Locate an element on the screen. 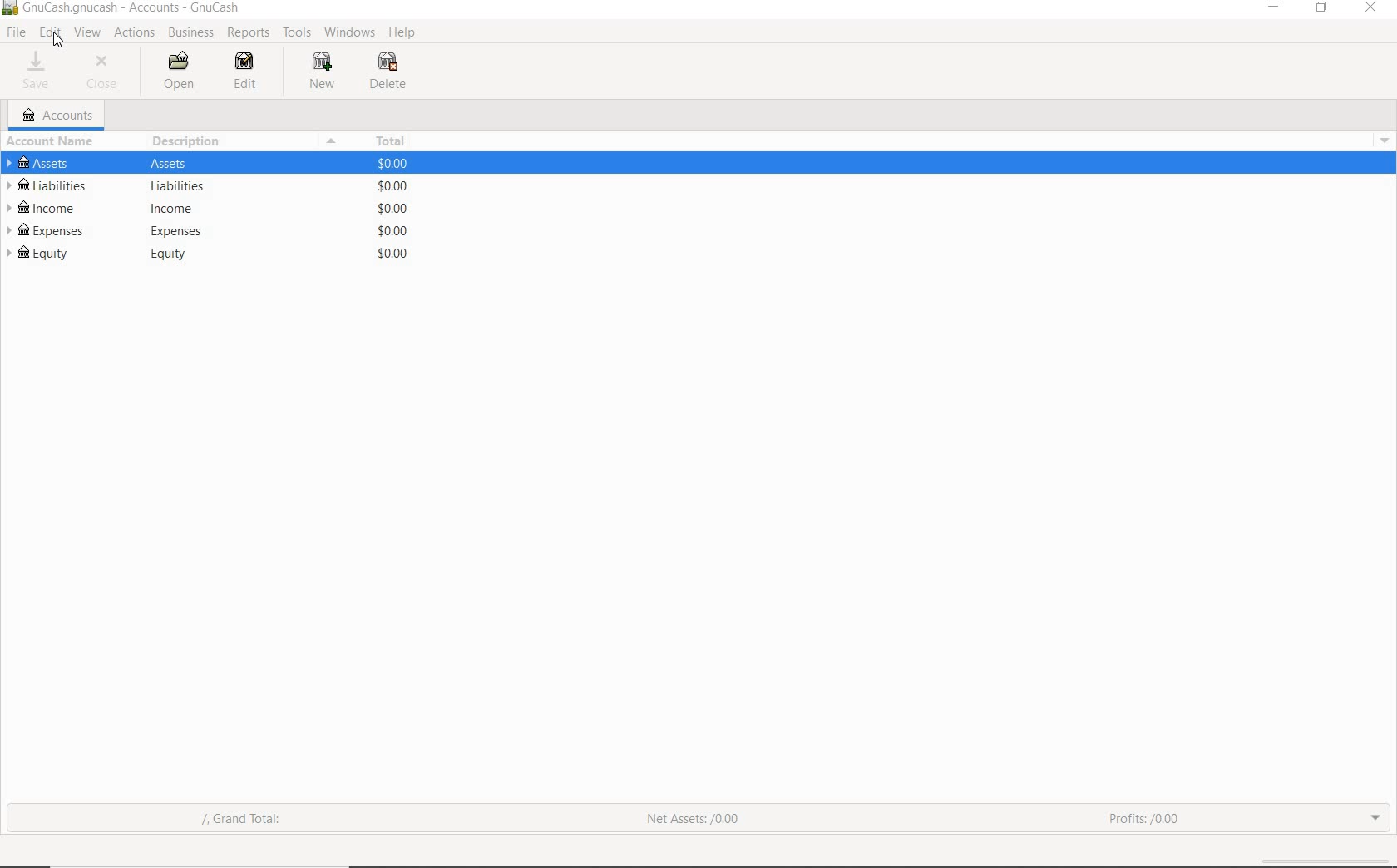   is located at coordinates (178, 256).